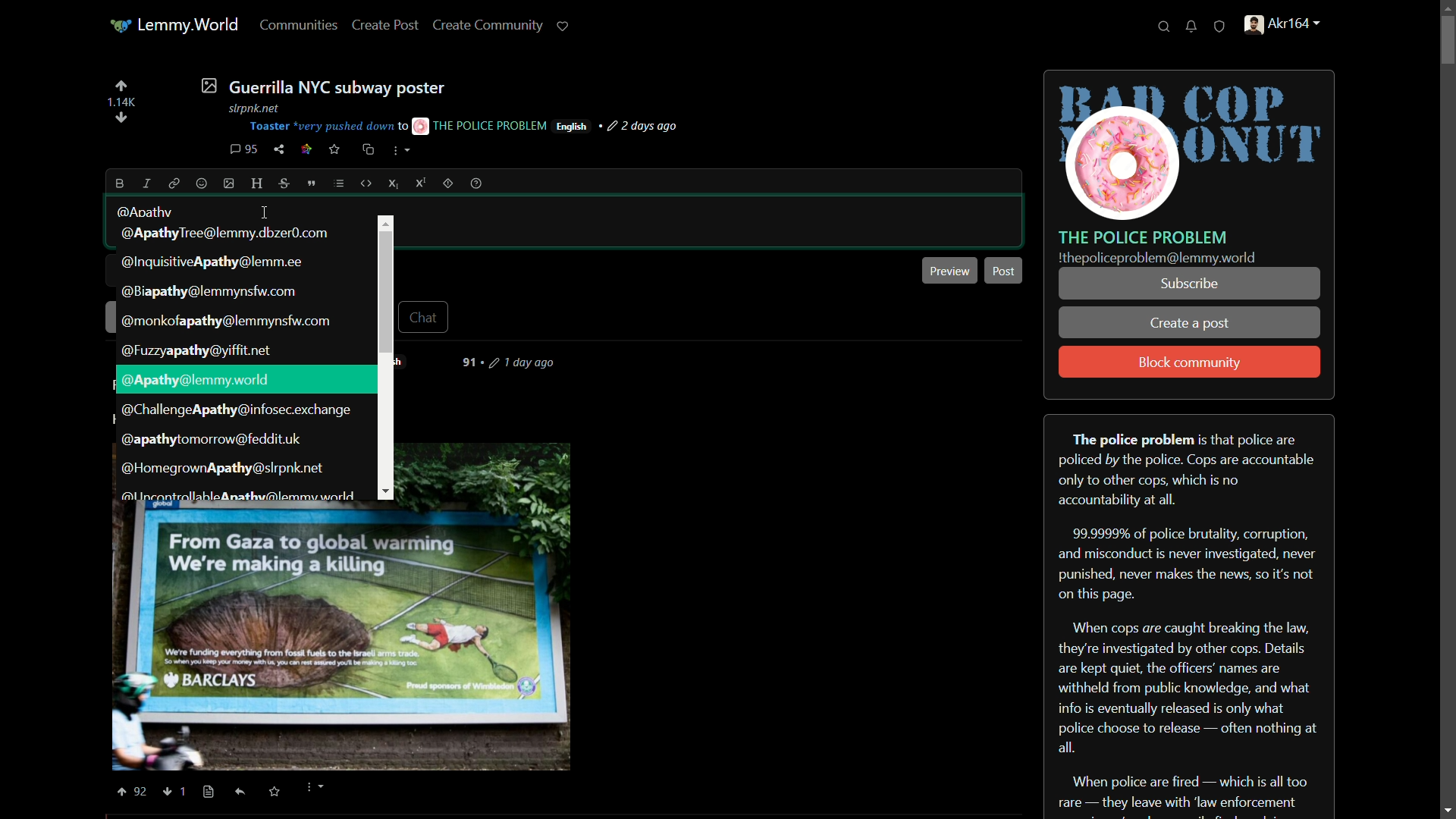 The height and width of the screenshot is (819, 1456). I want to click on POST IMAGE, so click(339, 639).